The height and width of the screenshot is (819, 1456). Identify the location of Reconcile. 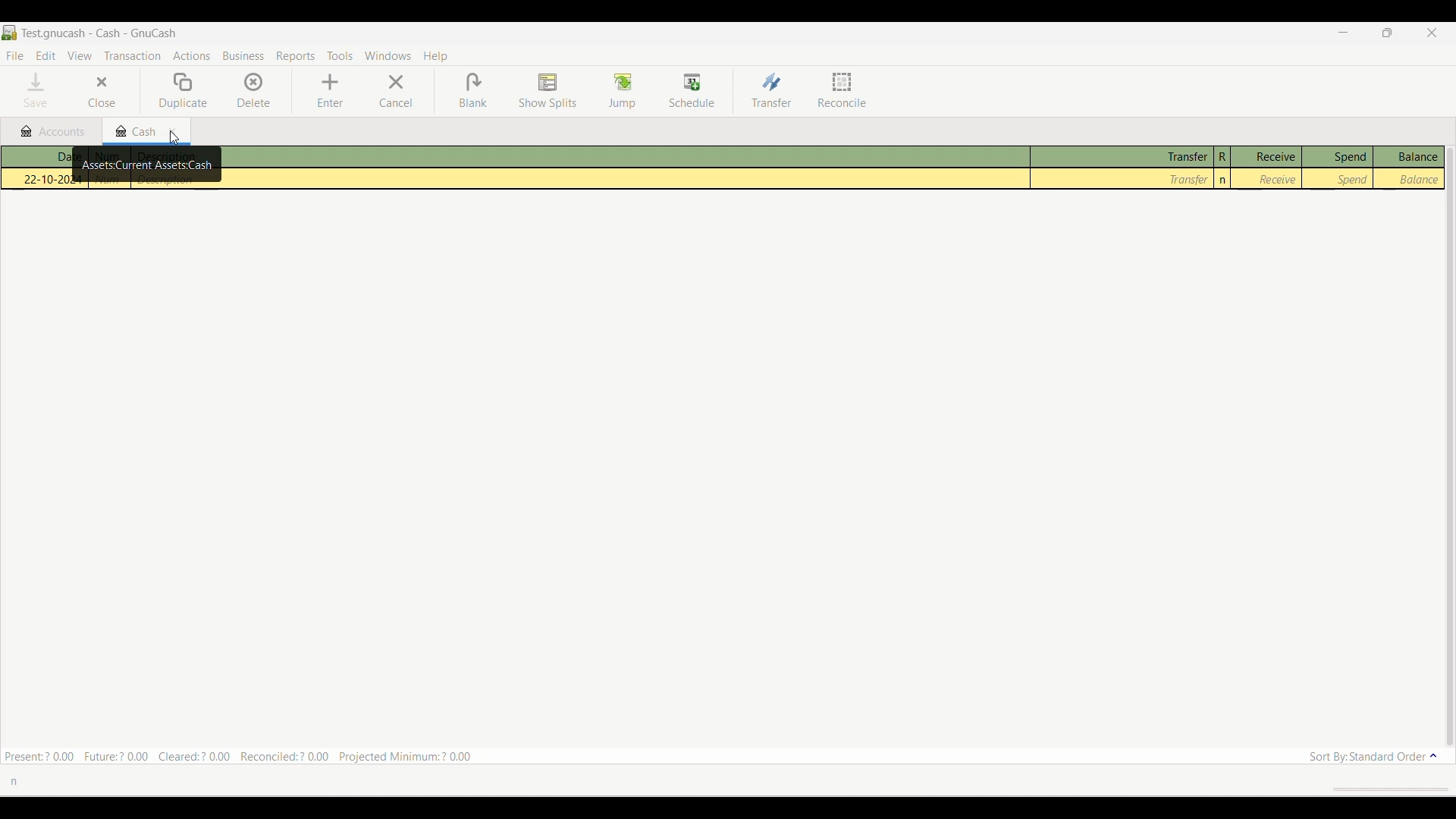
(842, 90).